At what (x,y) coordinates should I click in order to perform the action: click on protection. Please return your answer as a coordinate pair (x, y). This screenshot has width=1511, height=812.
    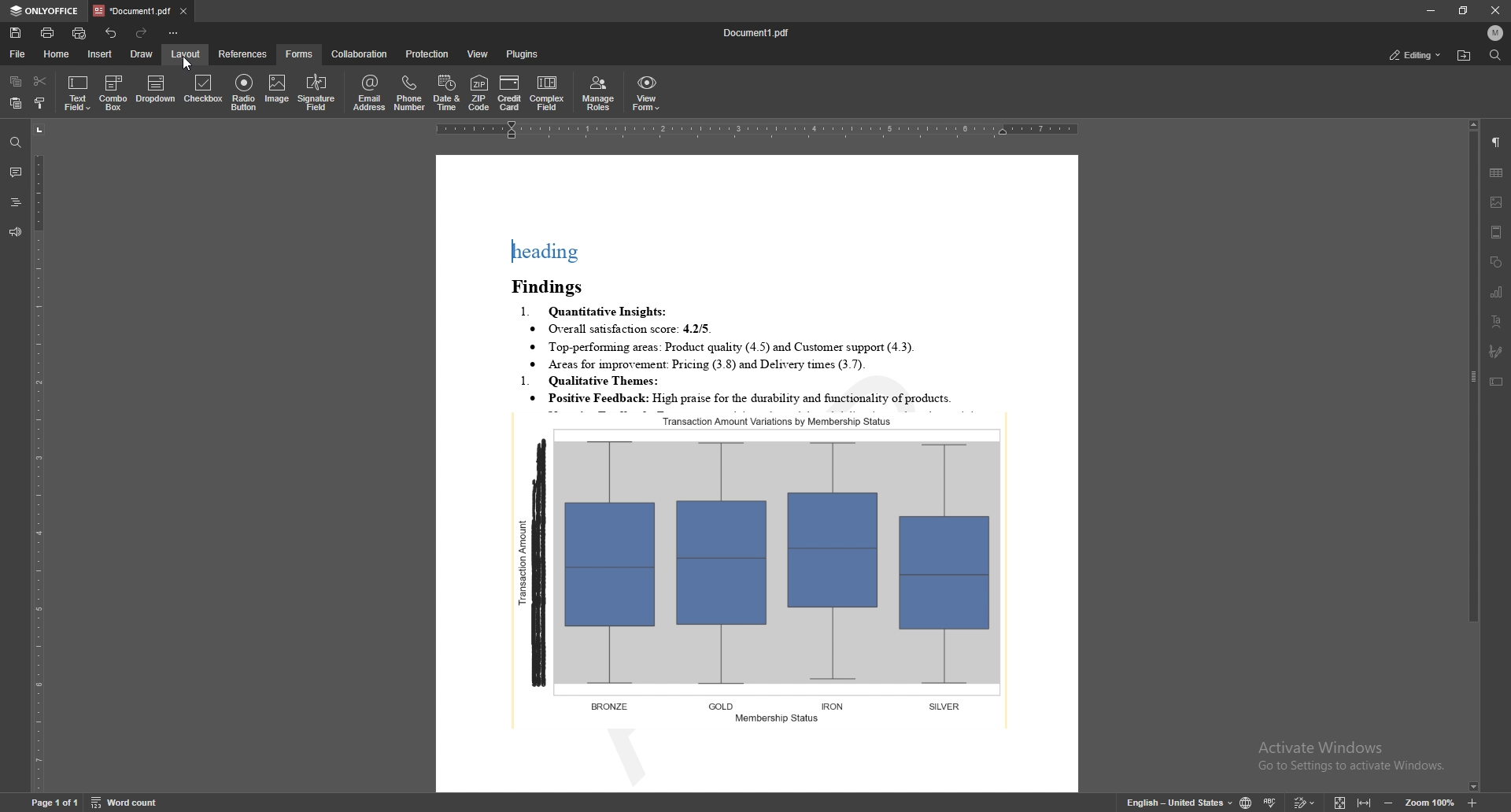
    Looking at the image, I should click on (429, 54).